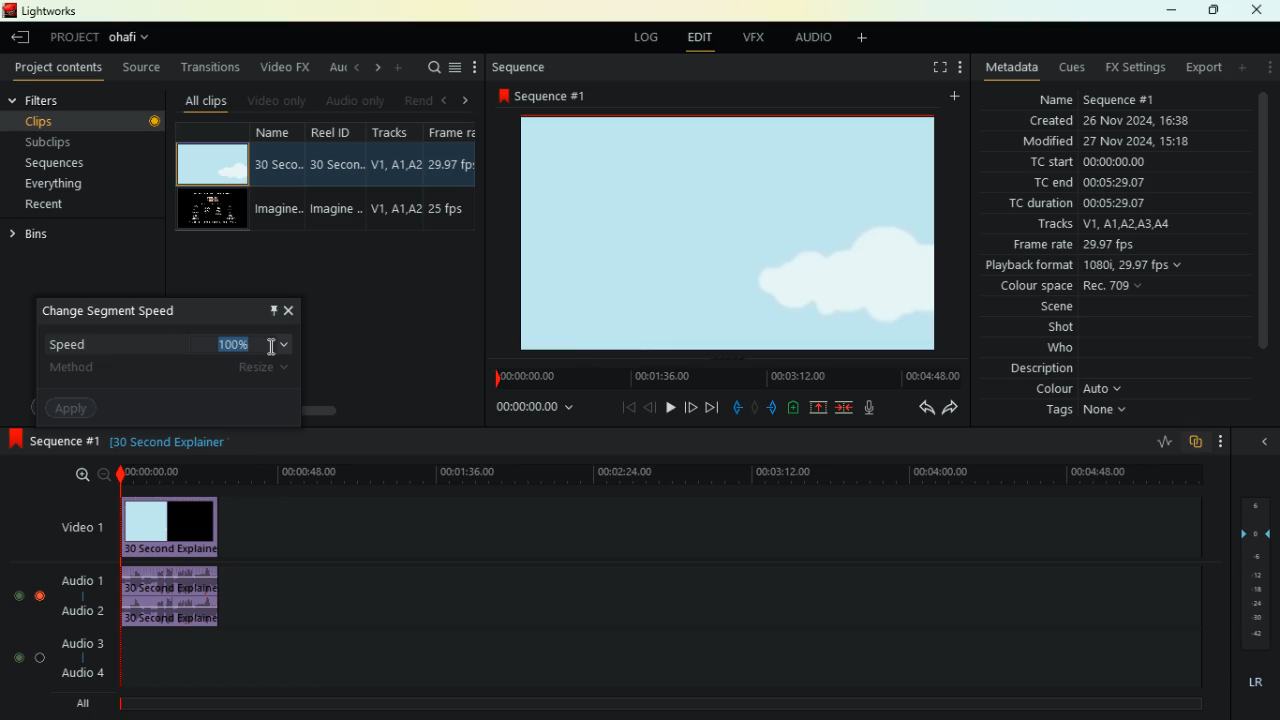  What do you see at coordinates (78, 577) in the screenshot?
I see `audio1` at bounding box center [78, 577].